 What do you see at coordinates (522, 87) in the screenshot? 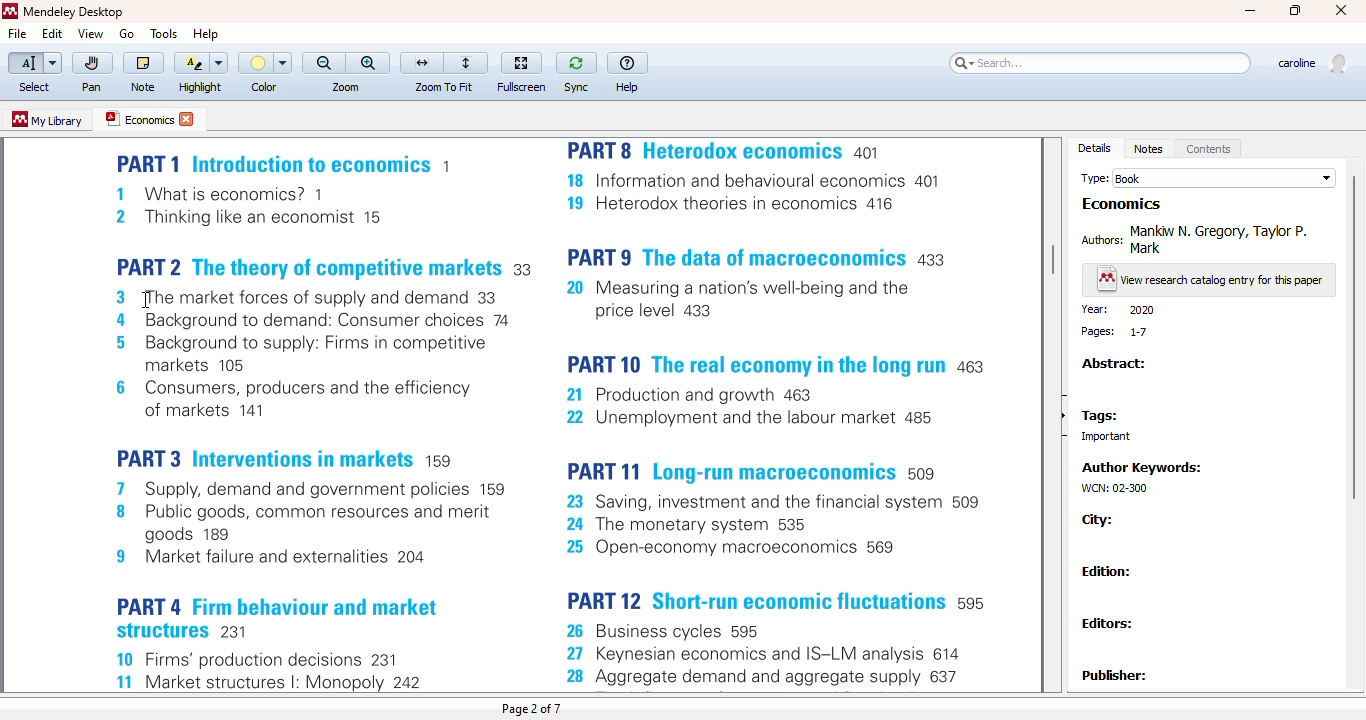
I see `fullscreen` at bounding box center [522, 87].